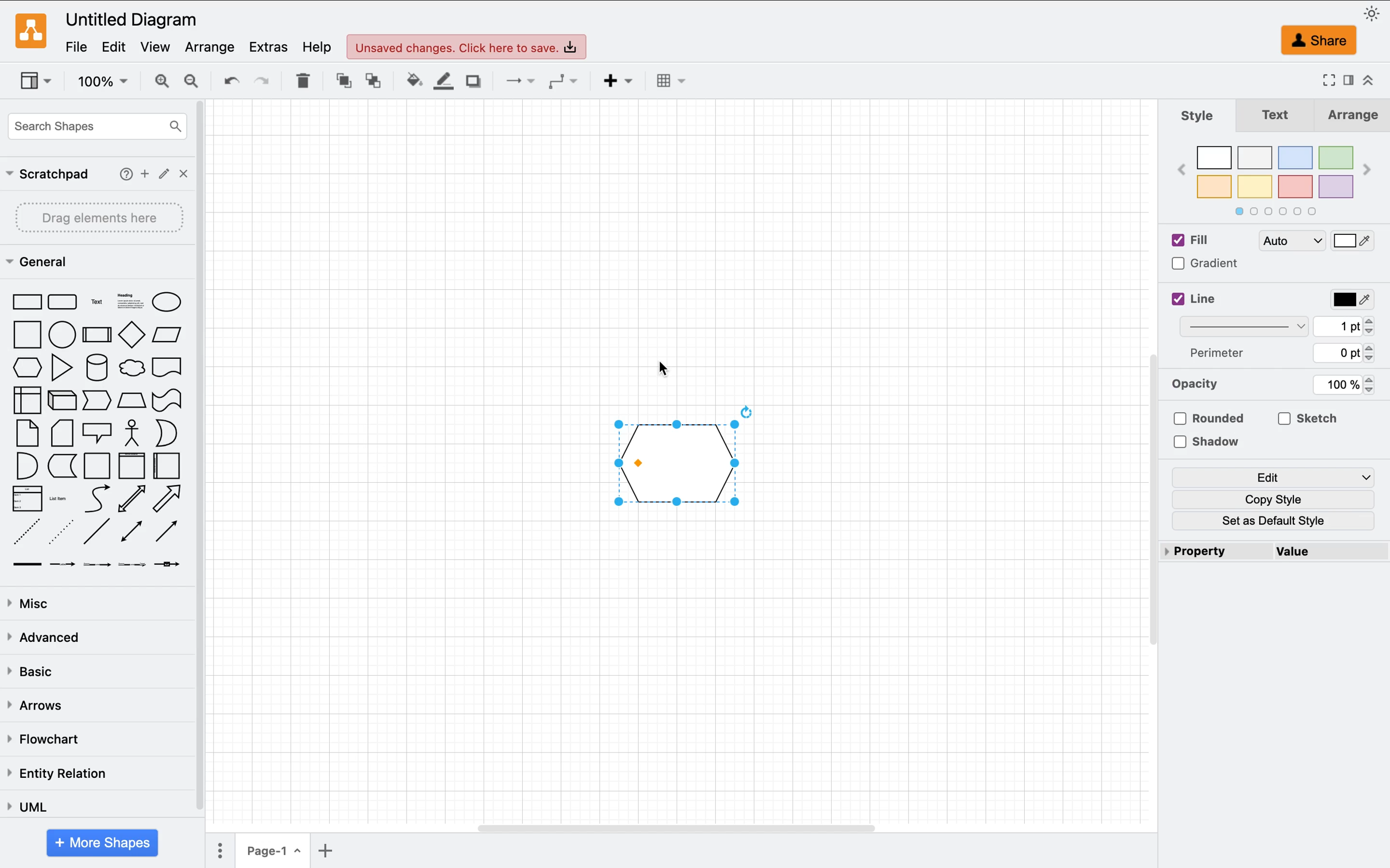  I want to click on Black Color dropper, so click(1349, 299).